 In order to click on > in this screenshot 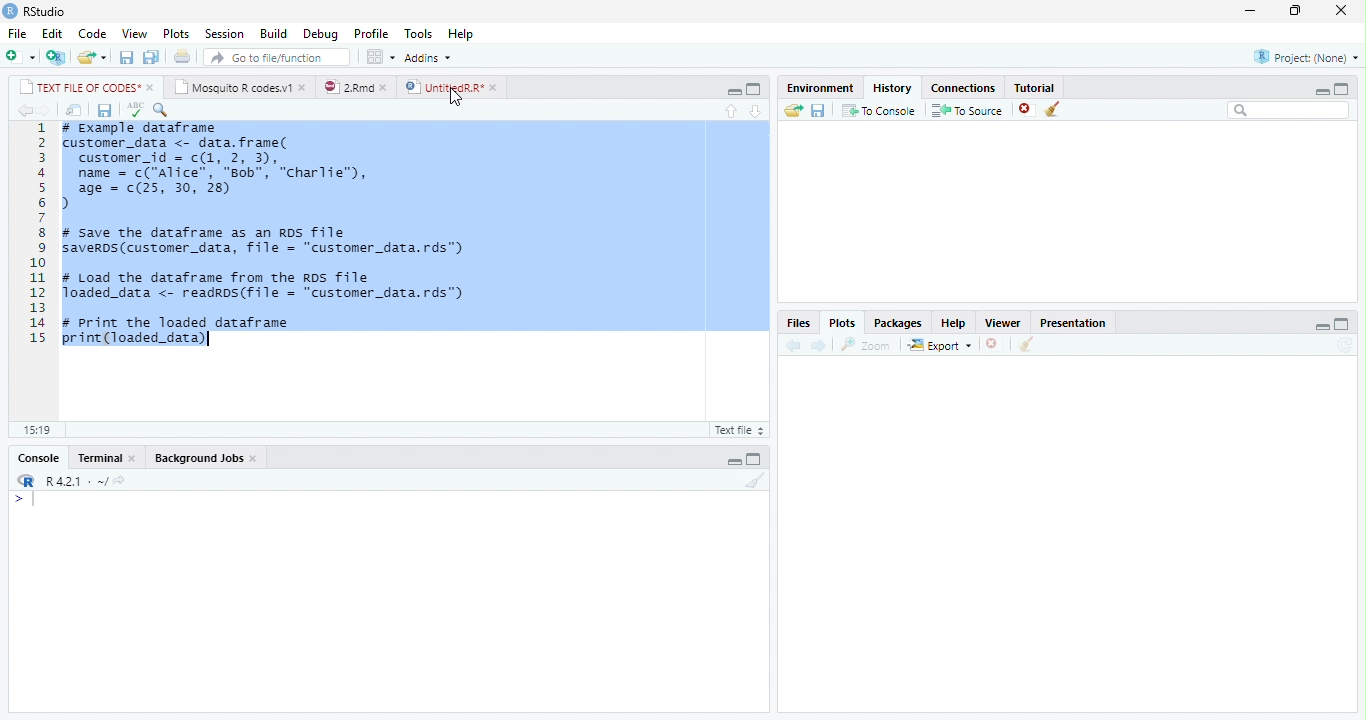, I will do `click(26, 499)`.